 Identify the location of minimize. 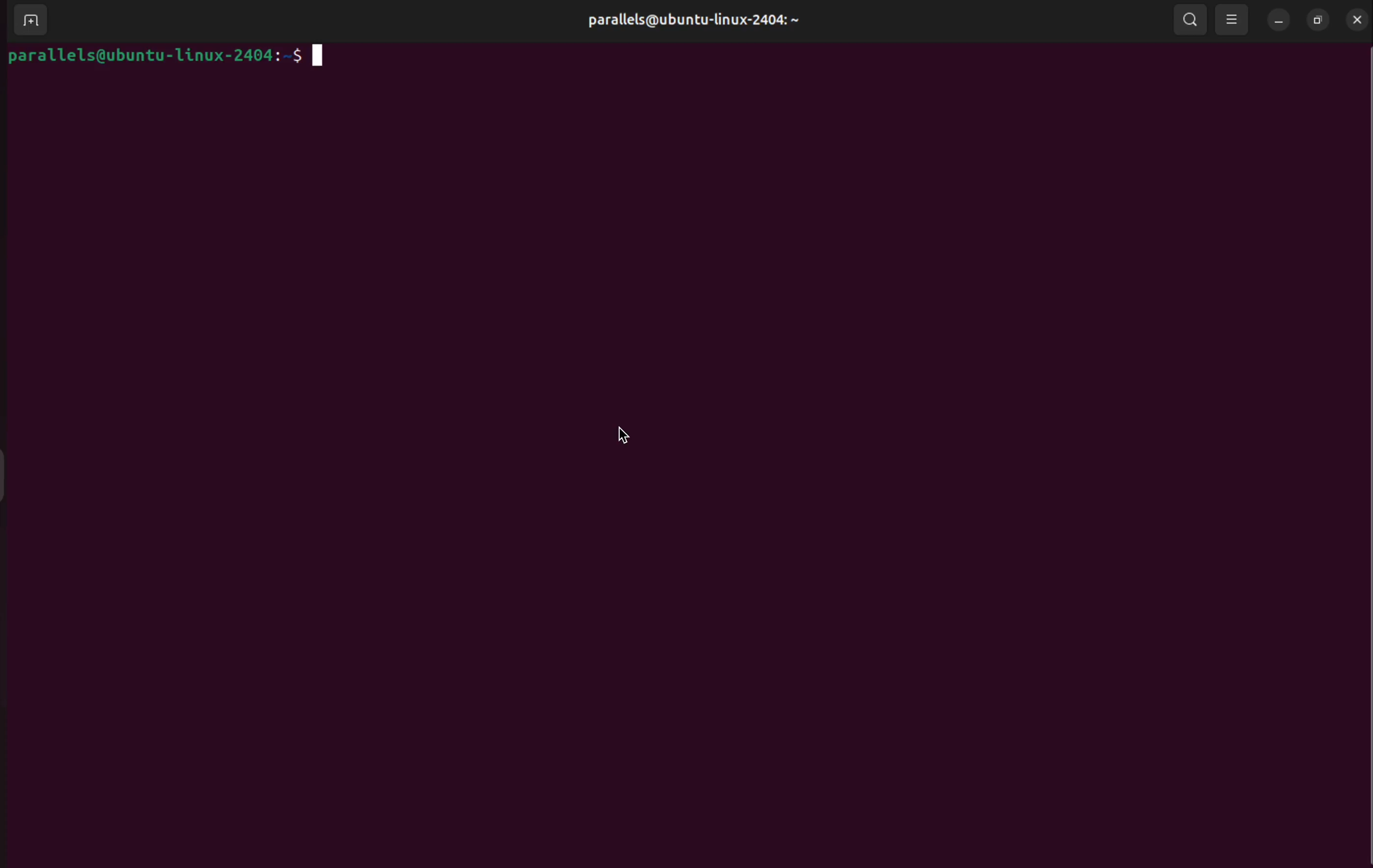
(1277, 19).